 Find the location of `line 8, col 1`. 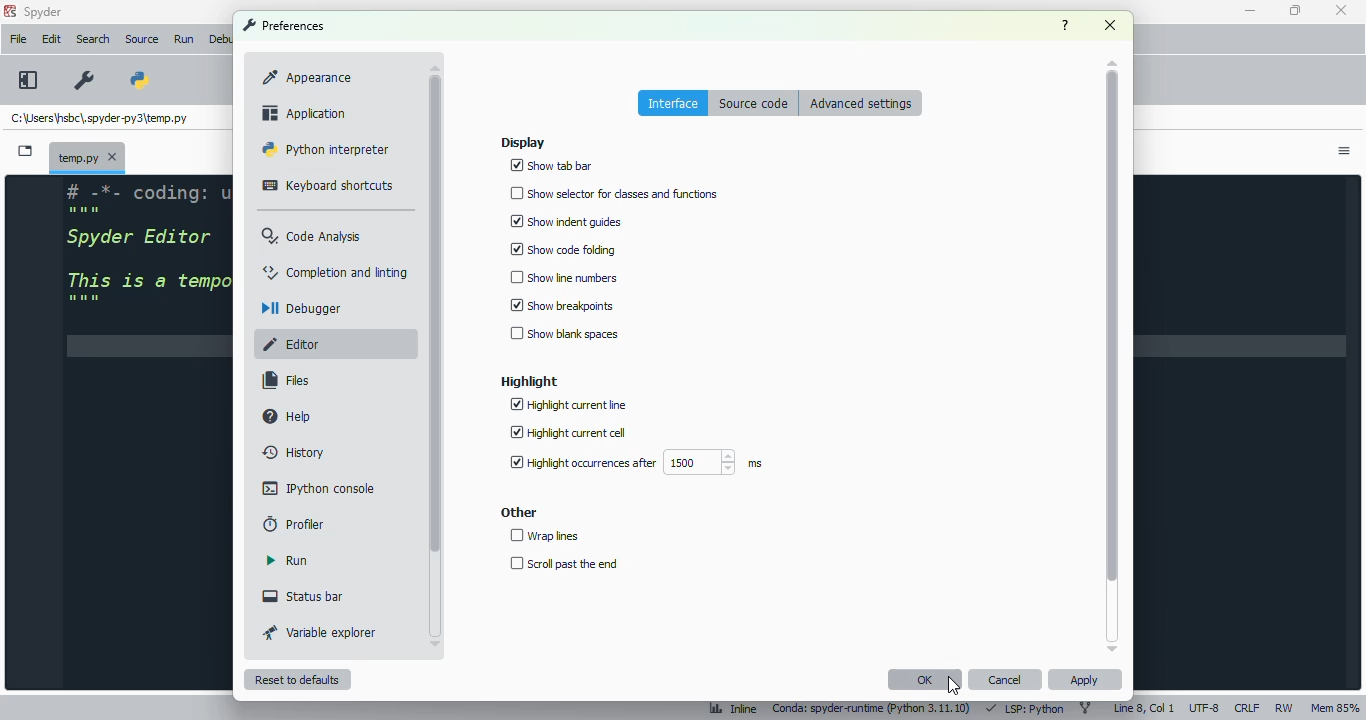

line 8, col 1 is located at coordinates (1146, 710).